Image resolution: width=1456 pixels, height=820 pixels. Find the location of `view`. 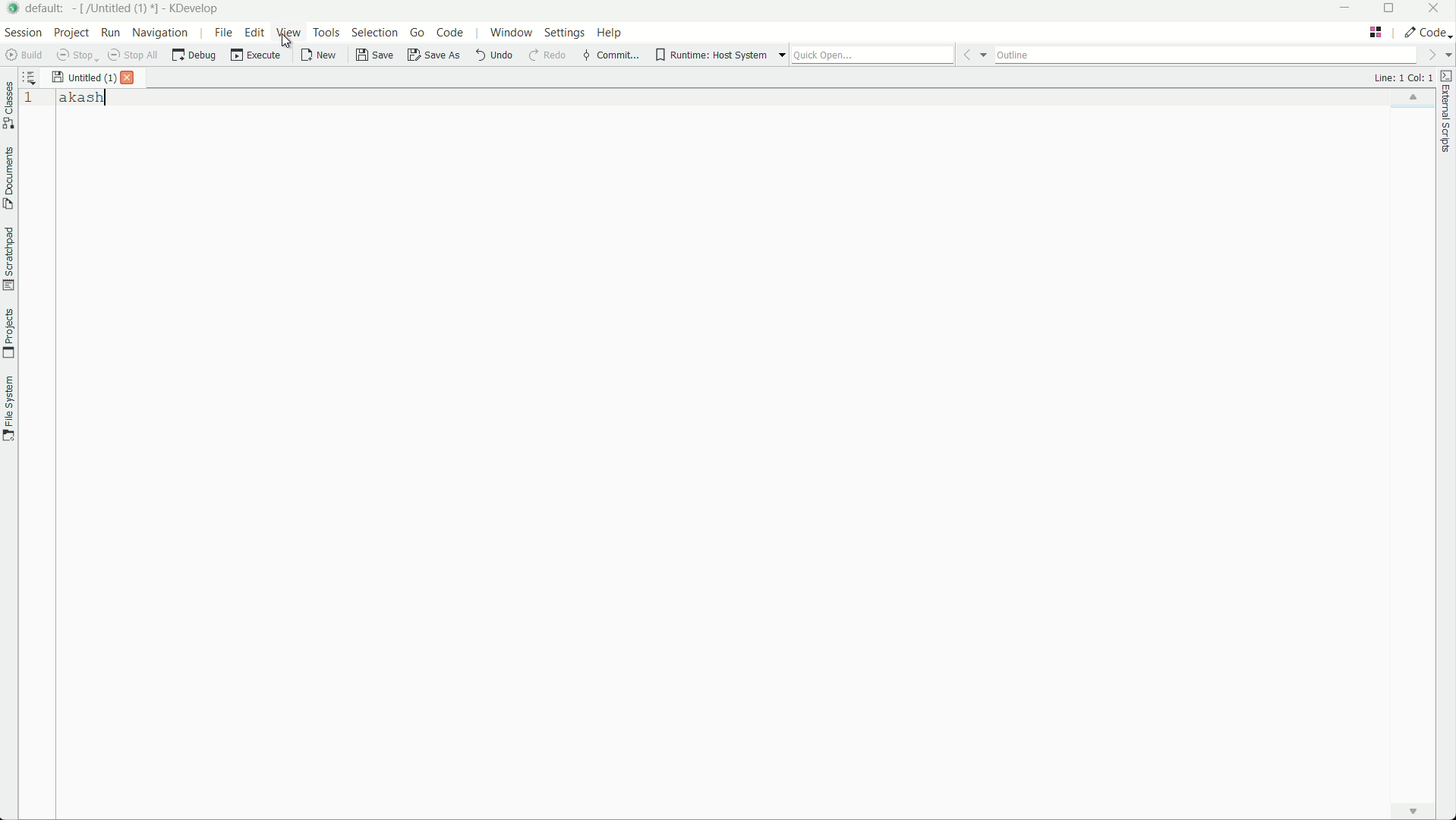

view is located at coordinates (289, 33).